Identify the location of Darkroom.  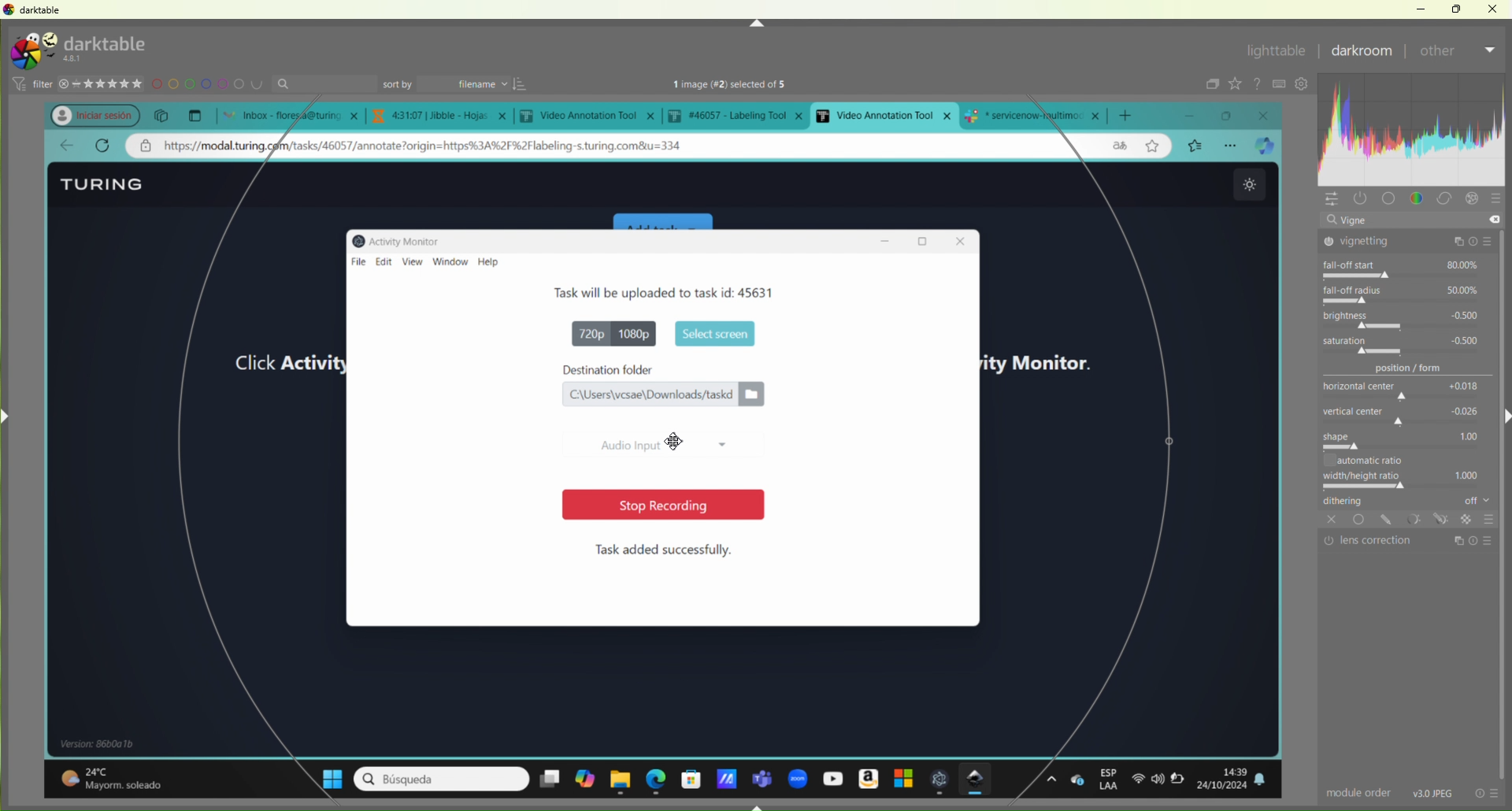
(1359, 51).